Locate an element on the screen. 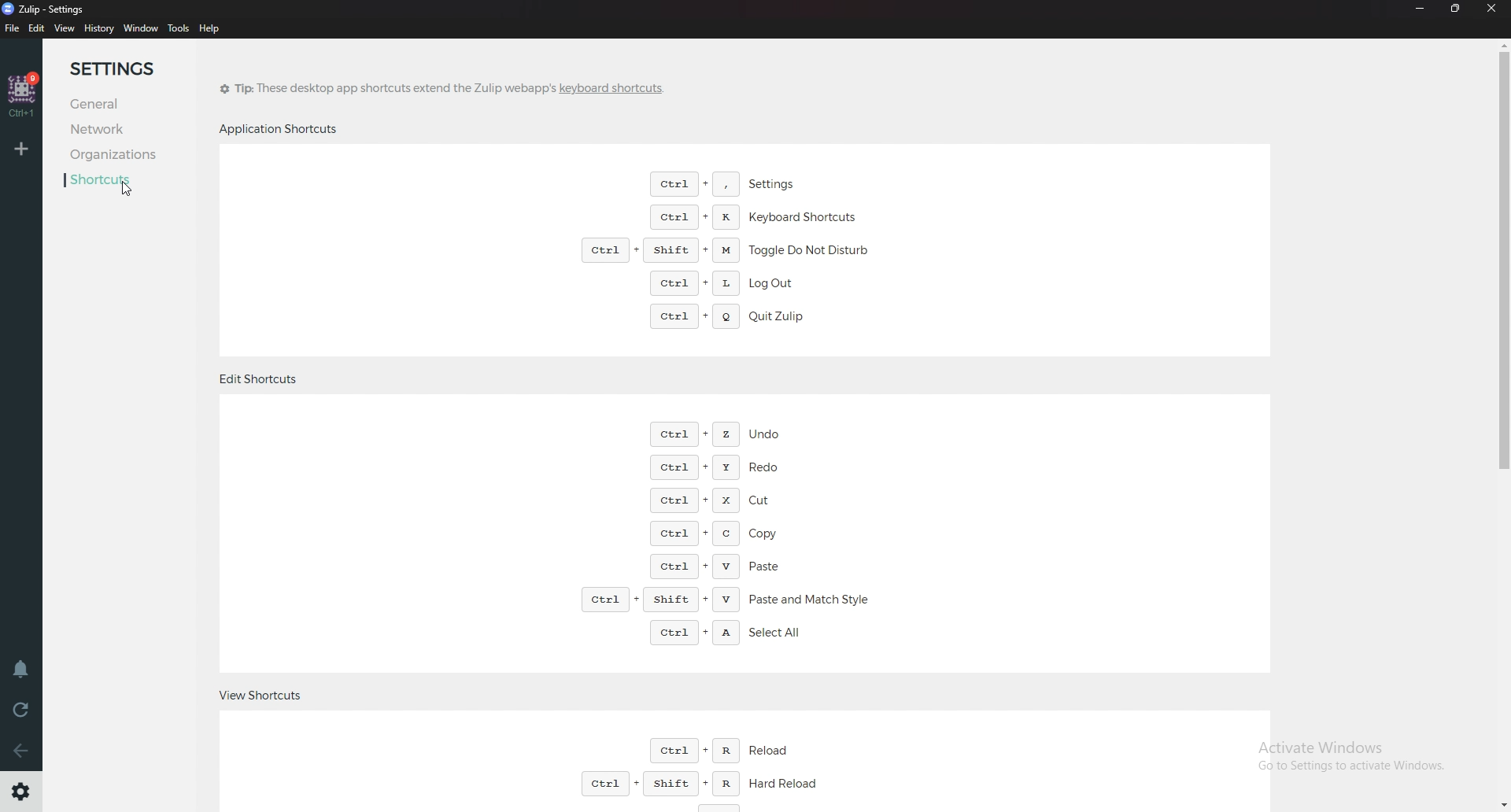 Image resolution: width=1511 pixels, height=812 pixels. network is located at coordinates (121, 128).